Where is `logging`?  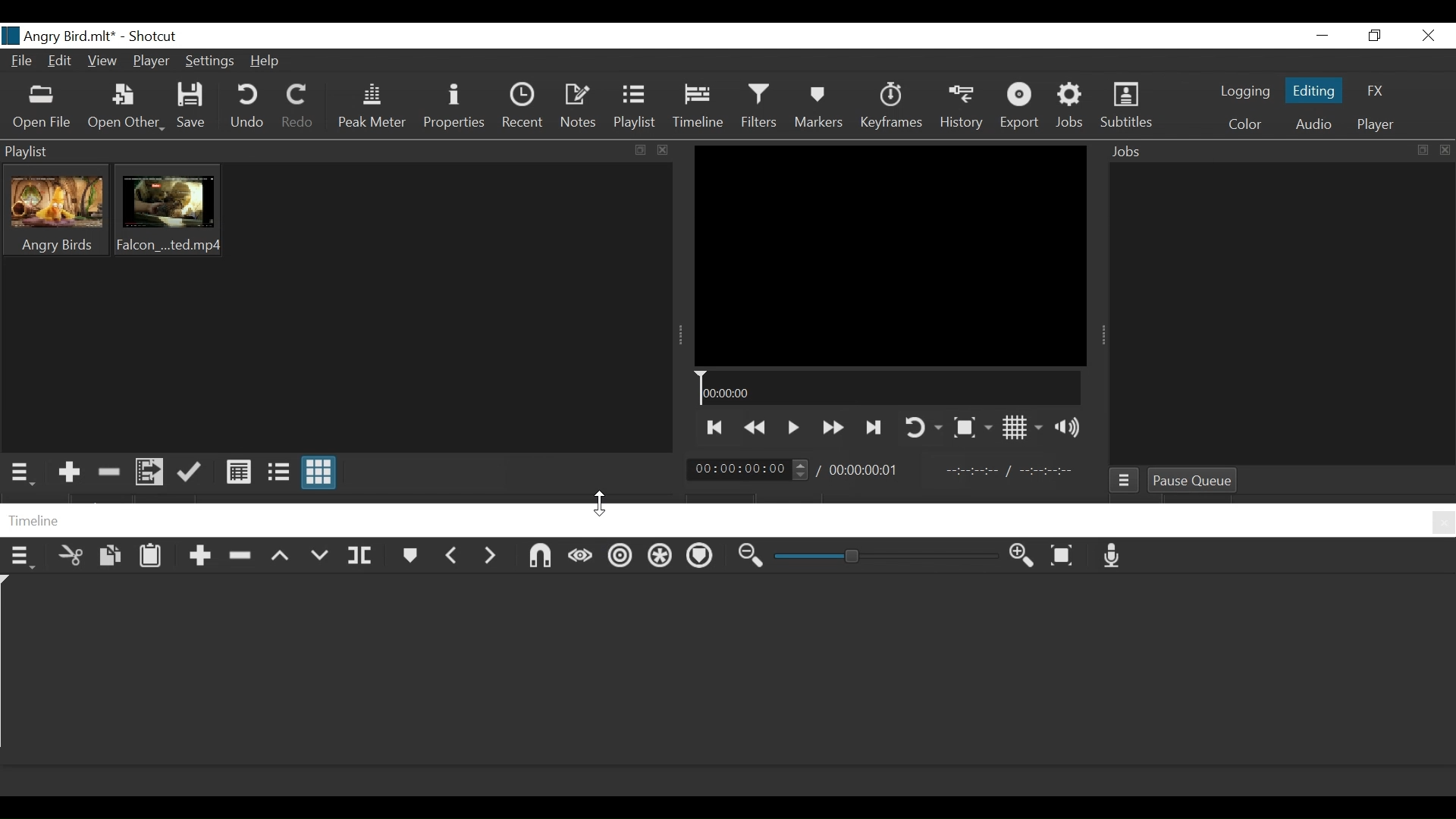
logging is located at coordinates (1245, 93).